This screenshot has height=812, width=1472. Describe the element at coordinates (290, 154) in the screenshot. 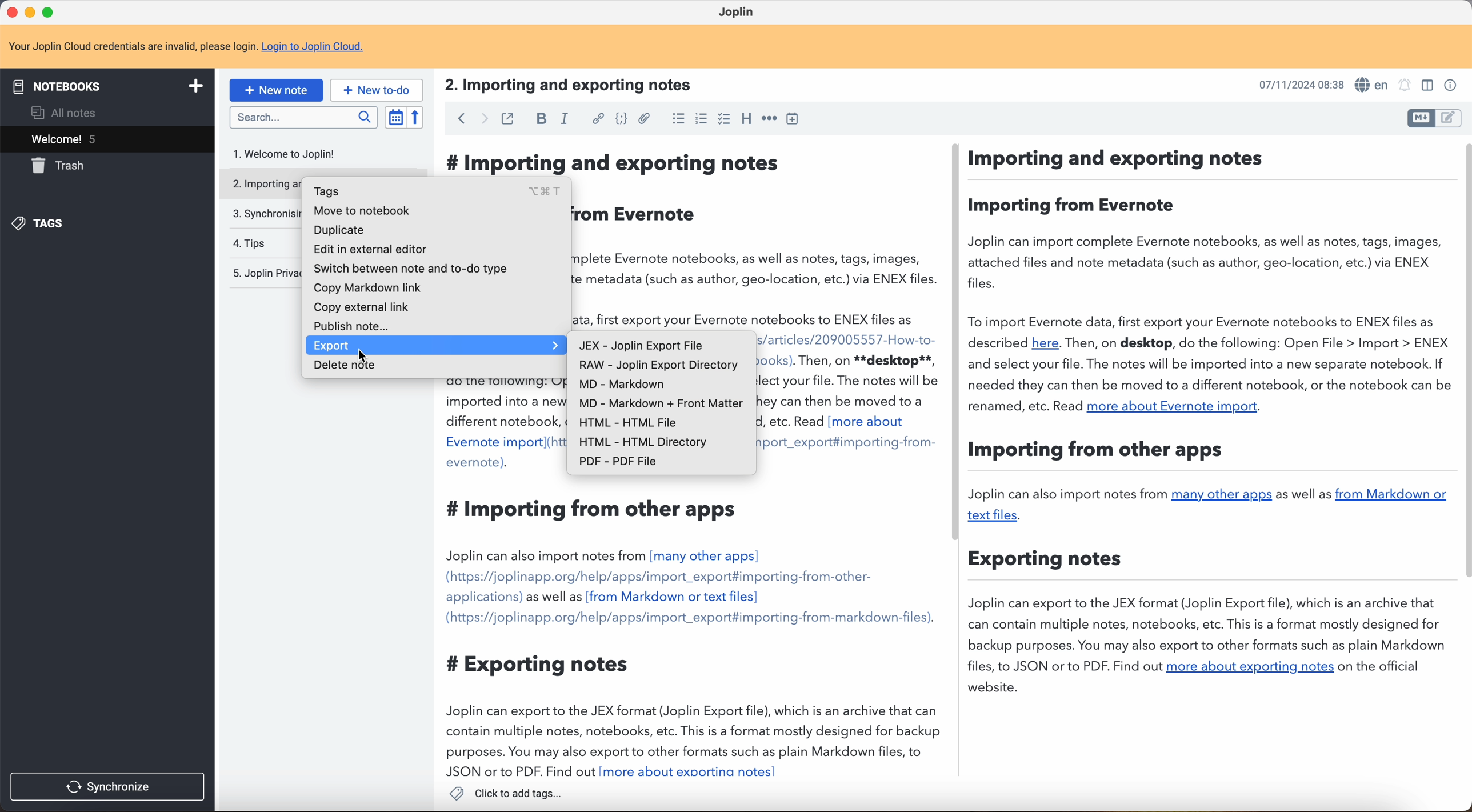

I see `welcome to Joplin note` at that location.